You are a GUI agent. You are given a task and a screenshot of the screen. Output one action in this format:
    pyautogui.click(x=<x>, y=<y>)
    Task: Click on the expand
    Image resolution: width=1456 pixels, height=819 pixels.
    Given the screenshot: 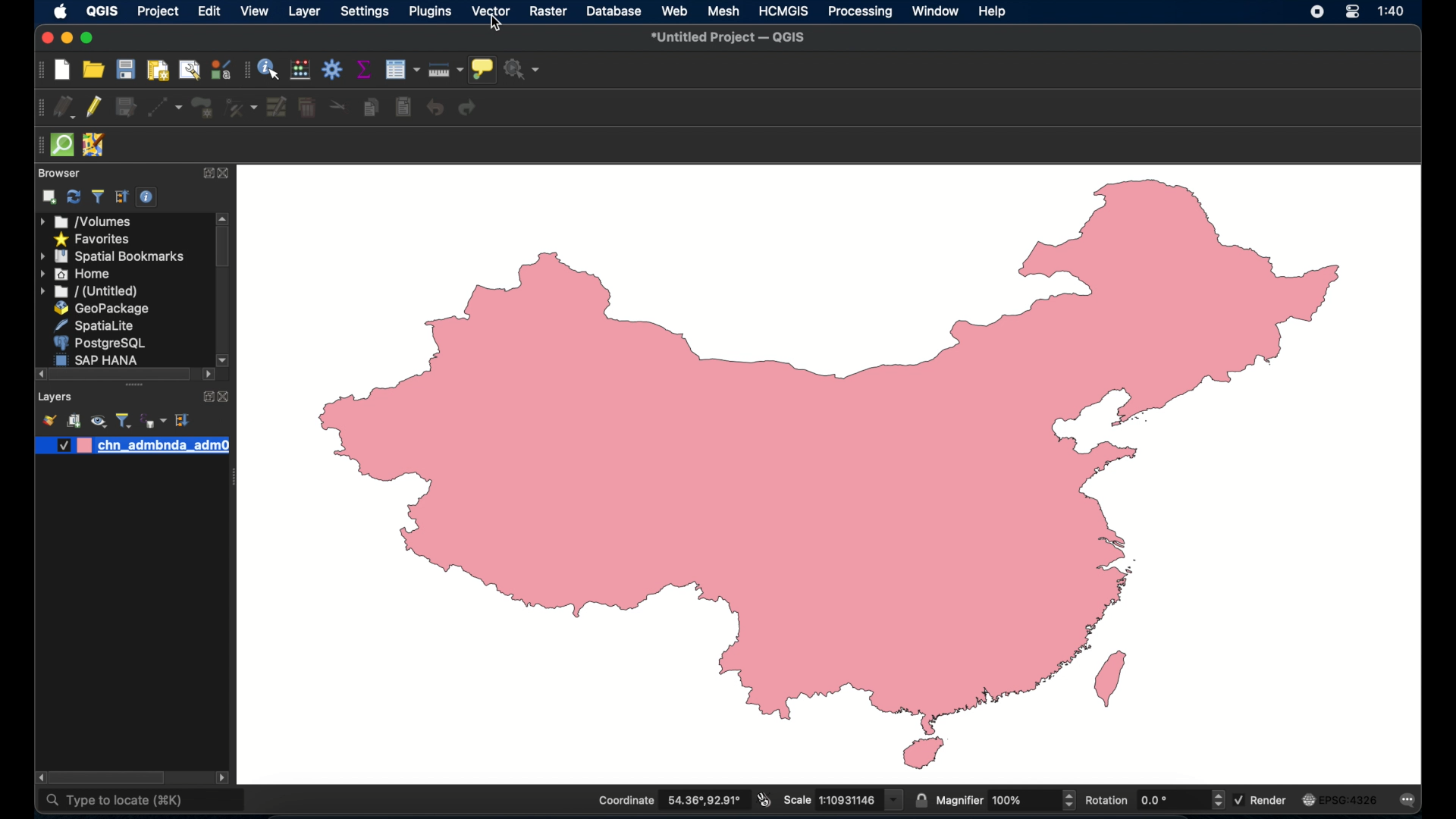 What is the action you would take?
    pyautogui.click(x=204, y=174)
    